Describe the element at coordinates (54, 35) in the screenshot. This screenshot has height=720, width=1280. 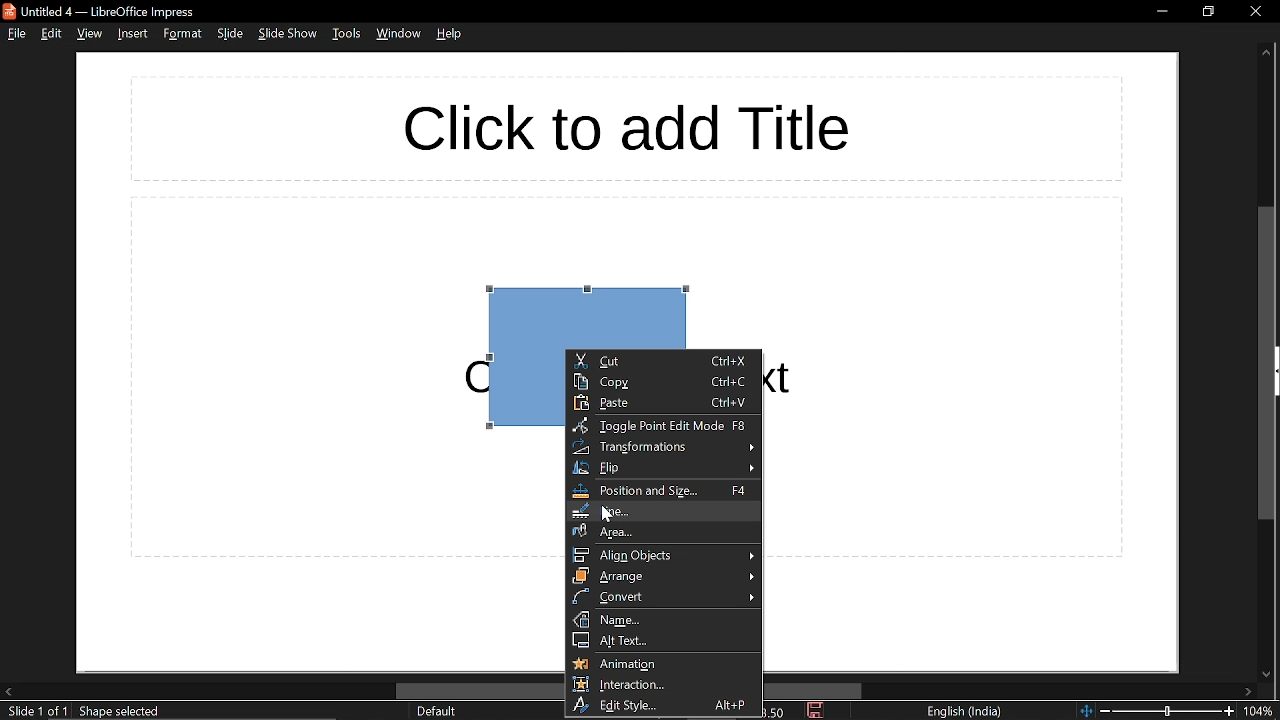
I see `edit` at that location.